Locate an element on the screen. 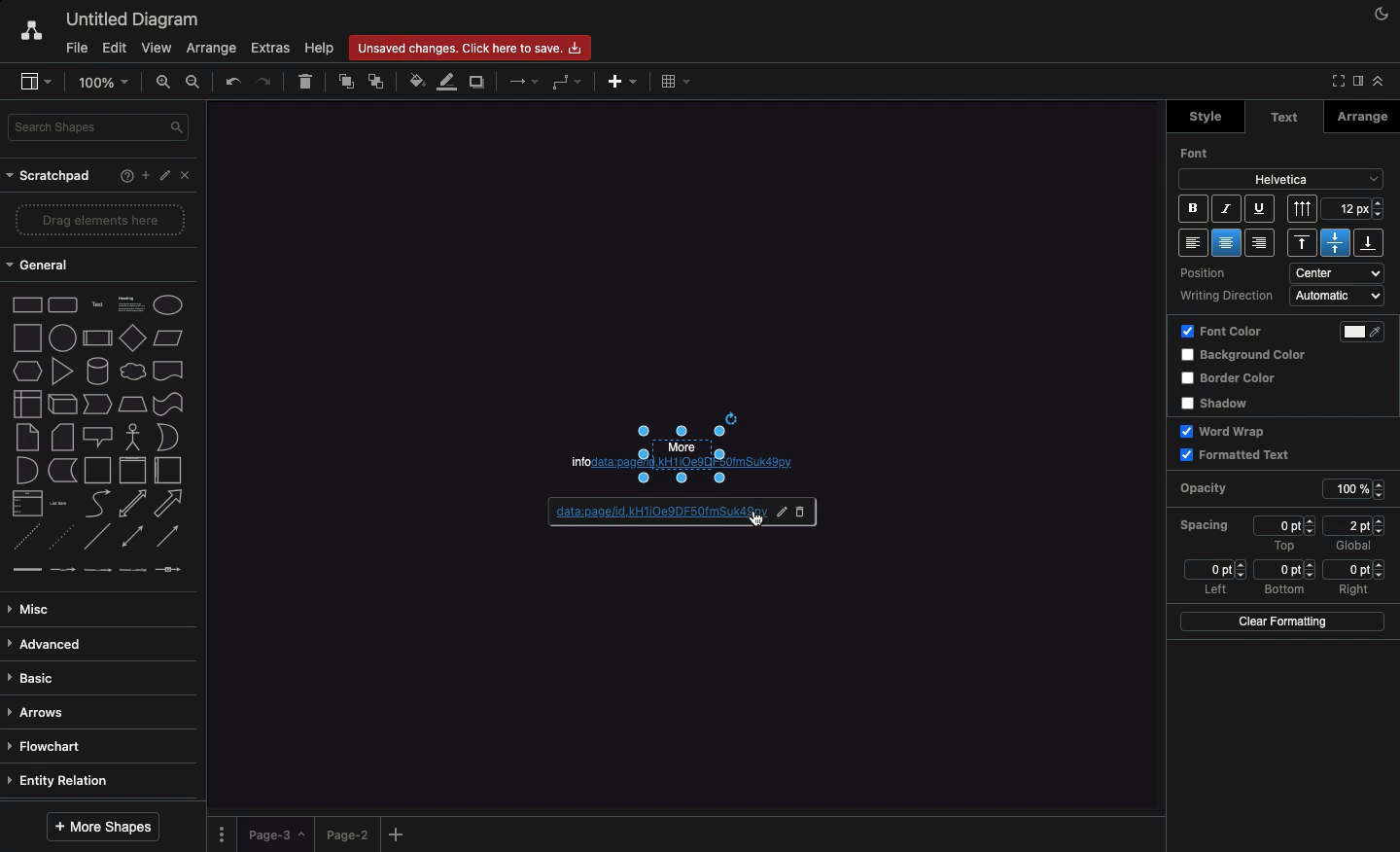  Extras is located at coordinates (271, 48).